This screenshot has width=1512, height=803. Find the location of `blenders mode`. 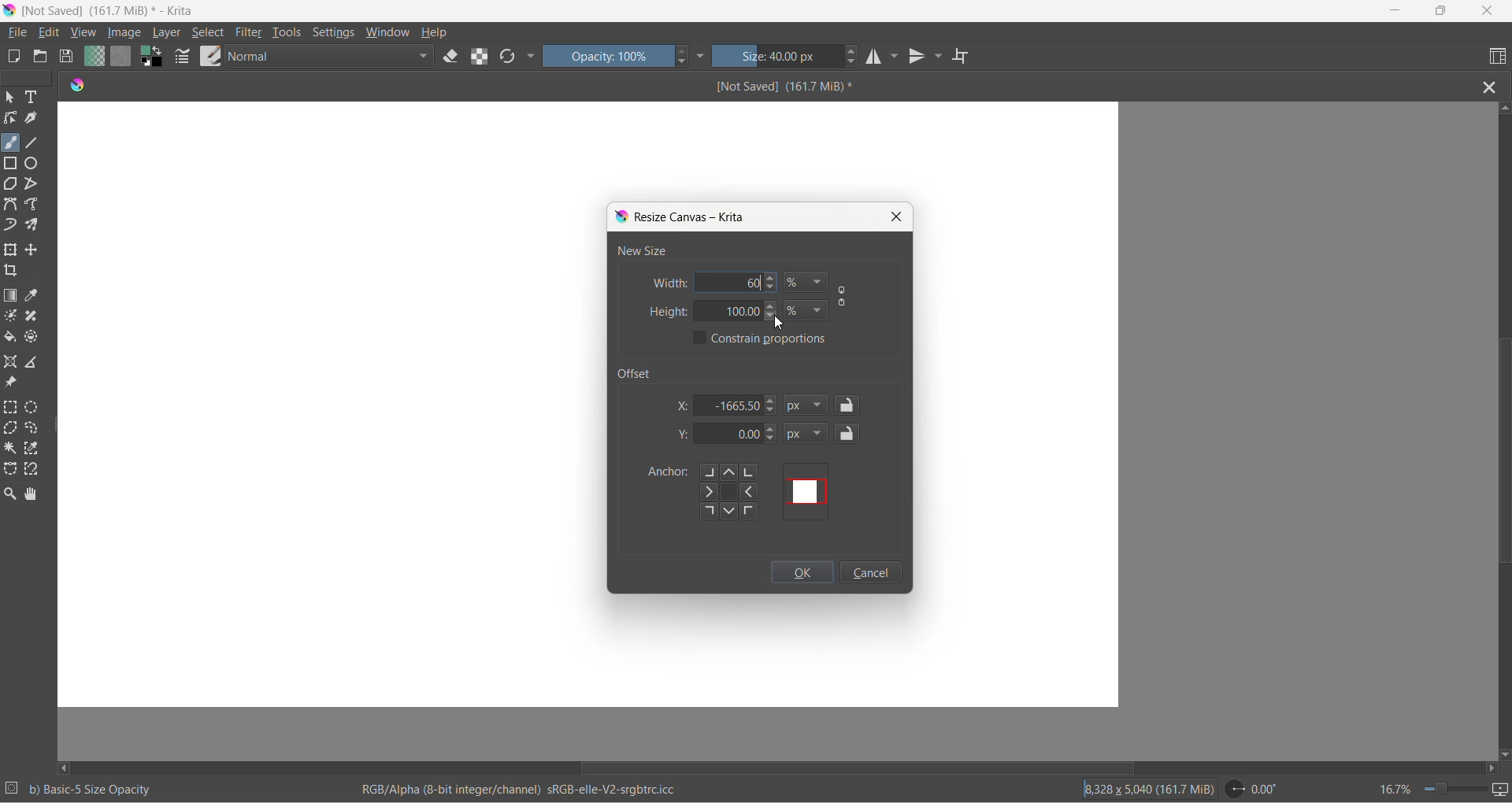

blenders mode is located at coordinates (332, 58).